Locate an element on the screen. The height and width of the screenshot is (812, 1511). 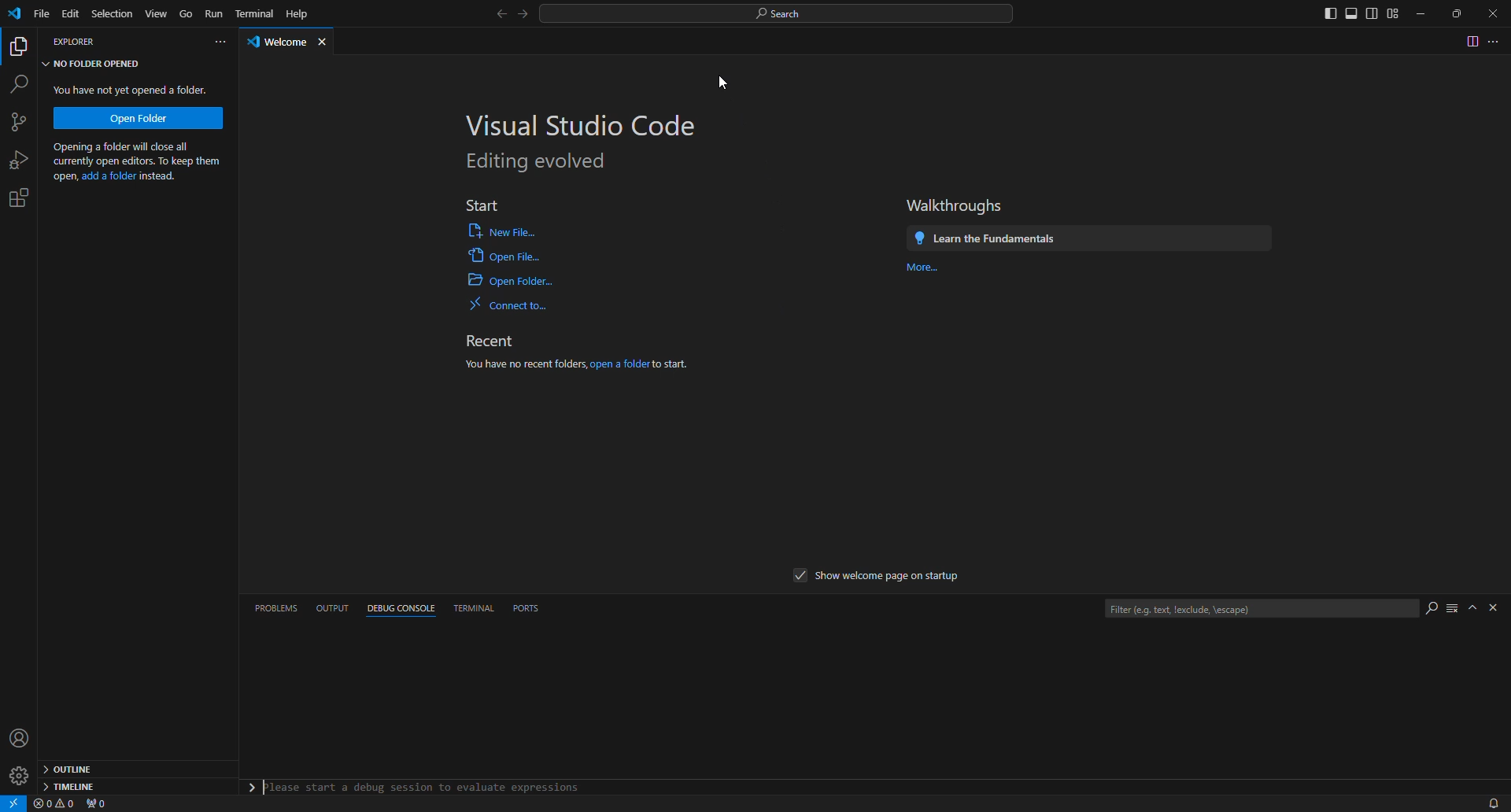
profile is located at coordinates (17, 735).